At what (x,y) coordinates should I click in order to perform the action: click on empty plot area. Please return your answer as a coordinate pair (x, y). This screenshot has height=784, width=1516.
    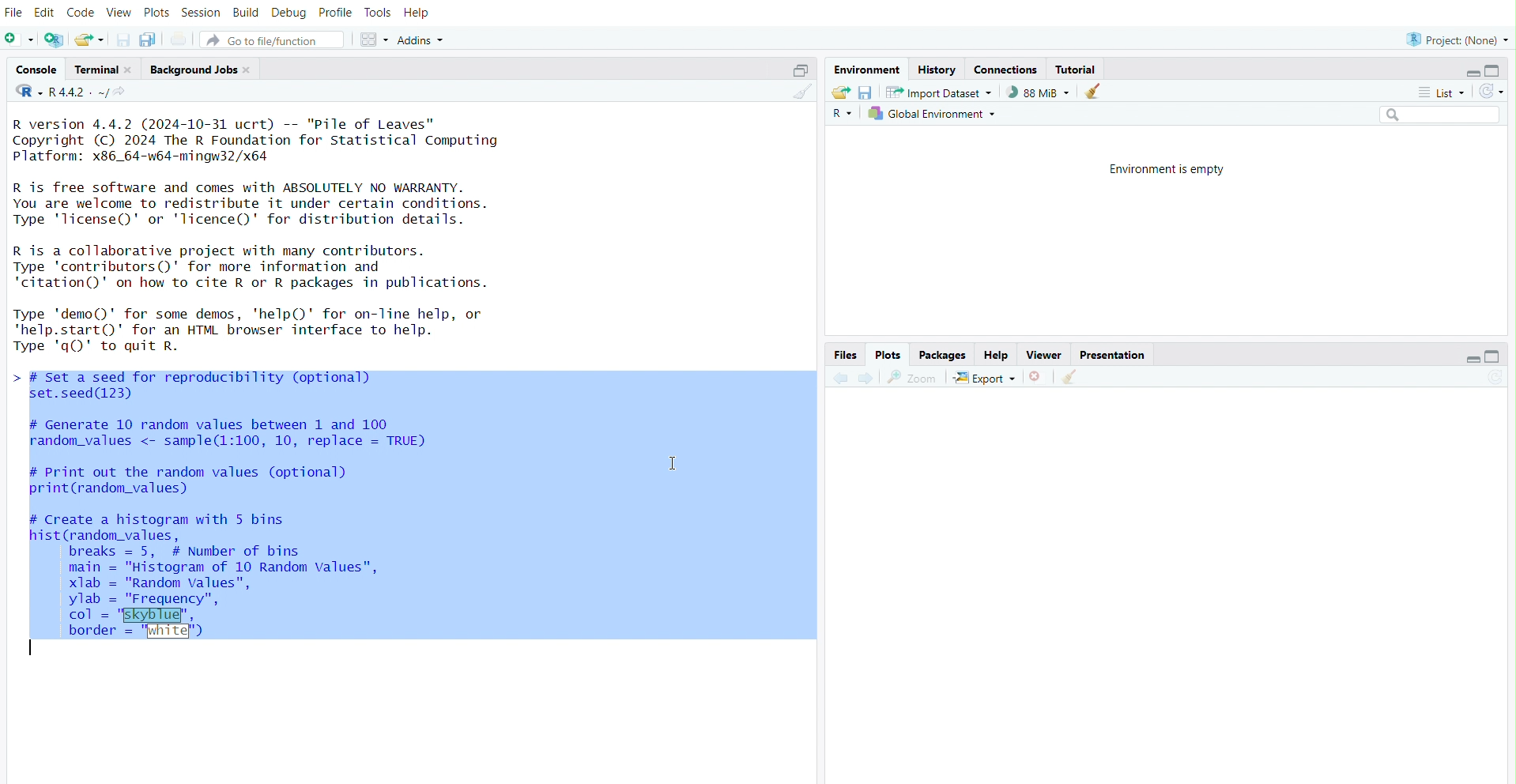
    Looking at the image, I should click on (1170, 585).